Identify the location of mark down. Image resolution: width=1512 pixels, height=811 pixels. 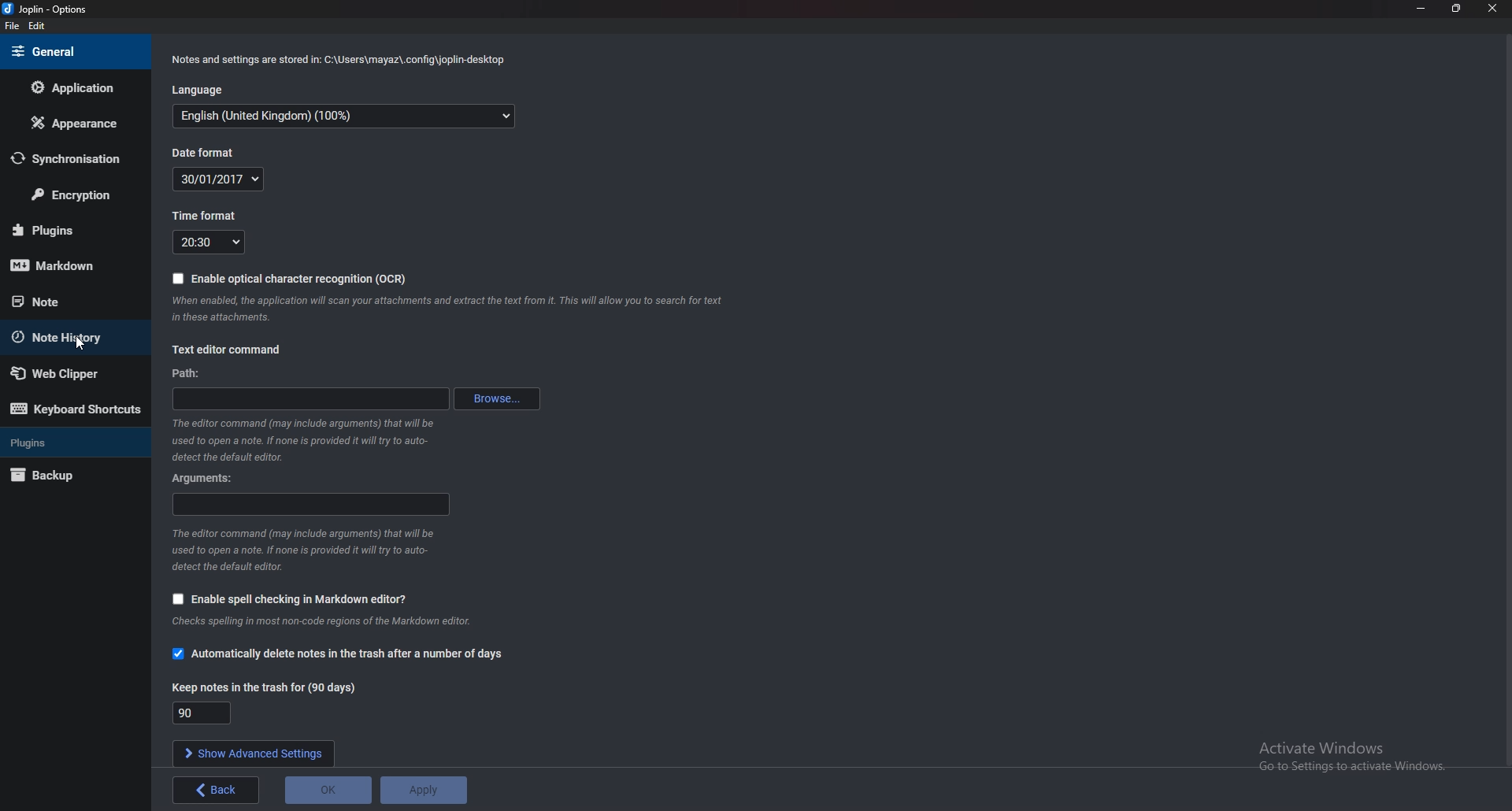
(70, 267).